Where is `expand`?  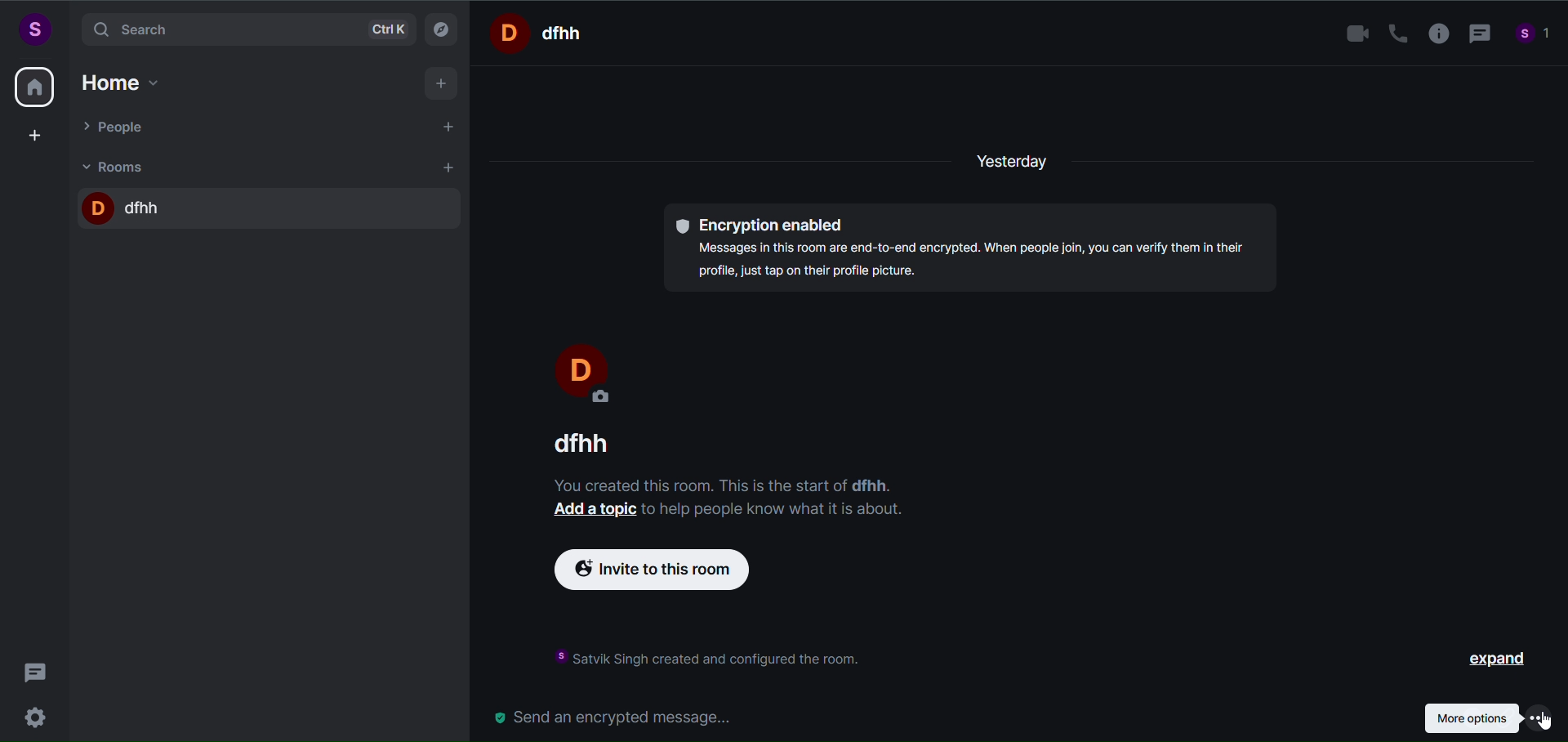 expand is located at coordinates (1484, 659).